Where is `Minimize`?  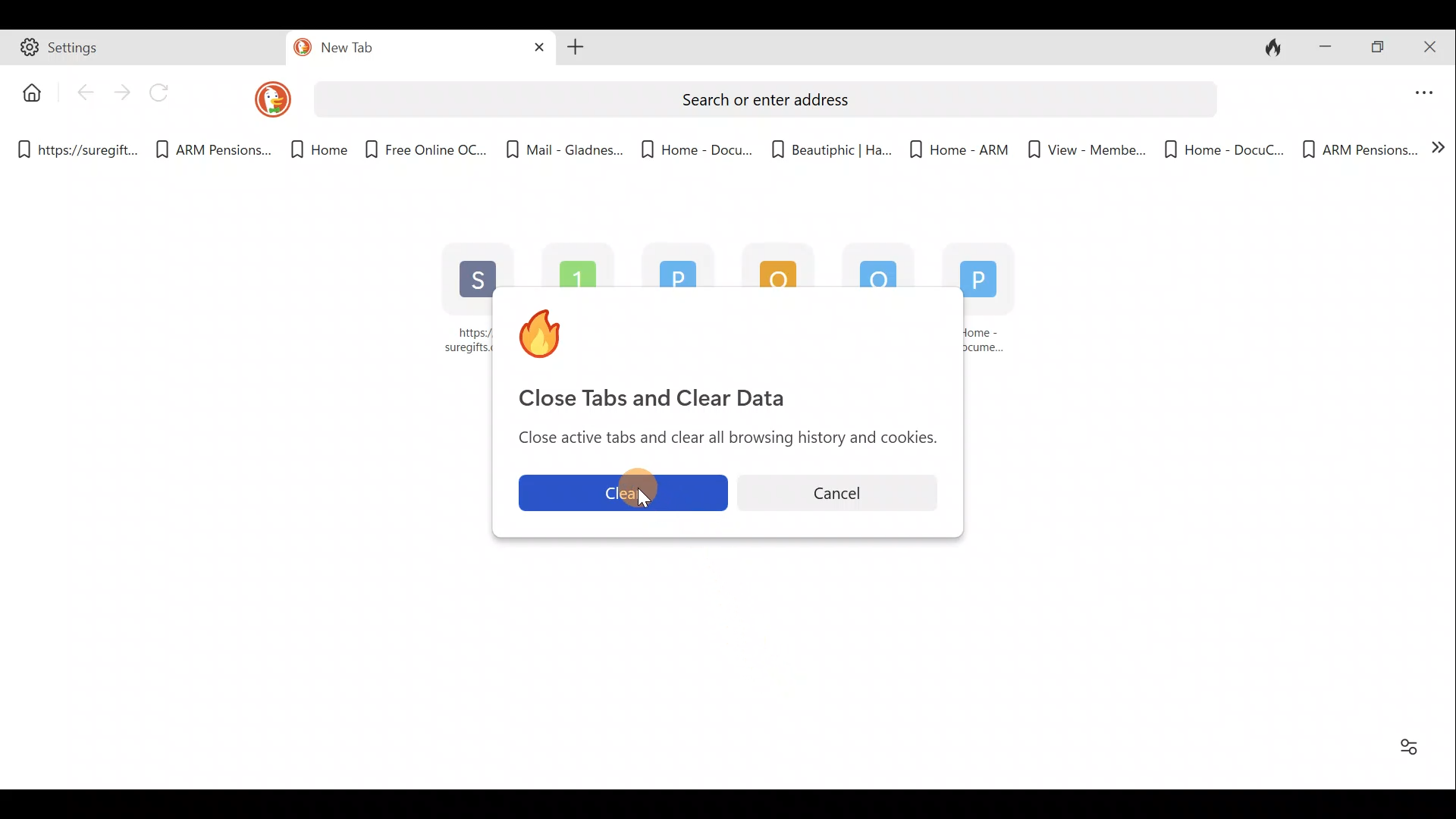
Minimize is located at coordinates (1325, 45).